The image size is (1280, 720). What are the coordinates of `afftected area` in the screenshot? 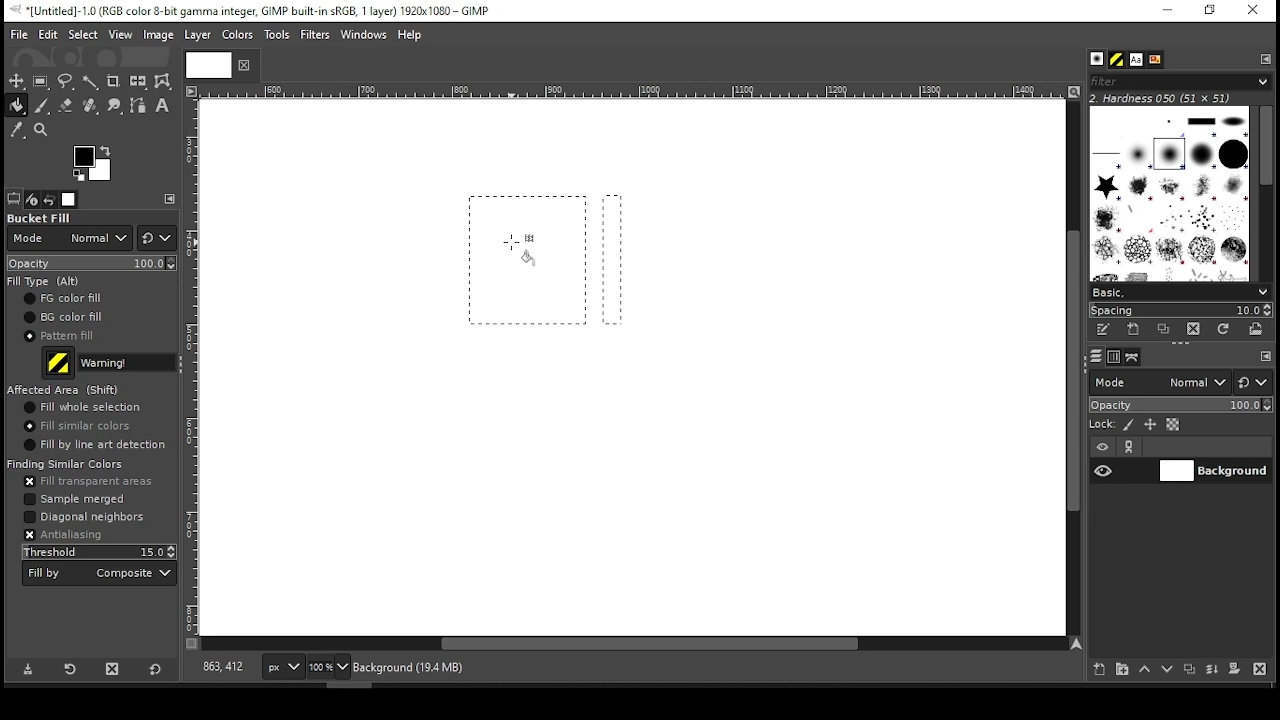 It's located at (66, 390).